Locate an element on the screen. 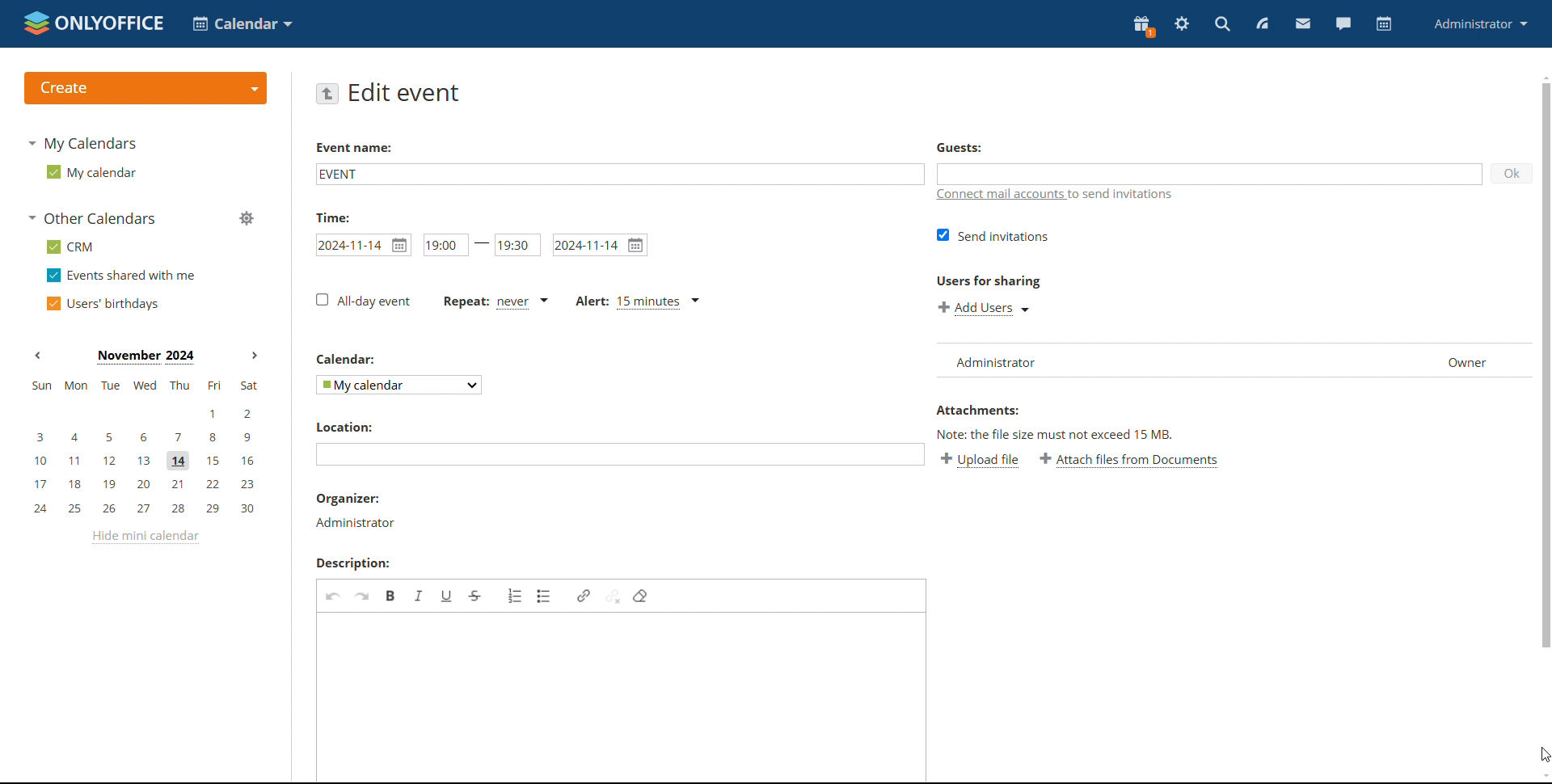 The height and width of the screenshot is (784, 1552). italic is located at coordinates (419, 595).